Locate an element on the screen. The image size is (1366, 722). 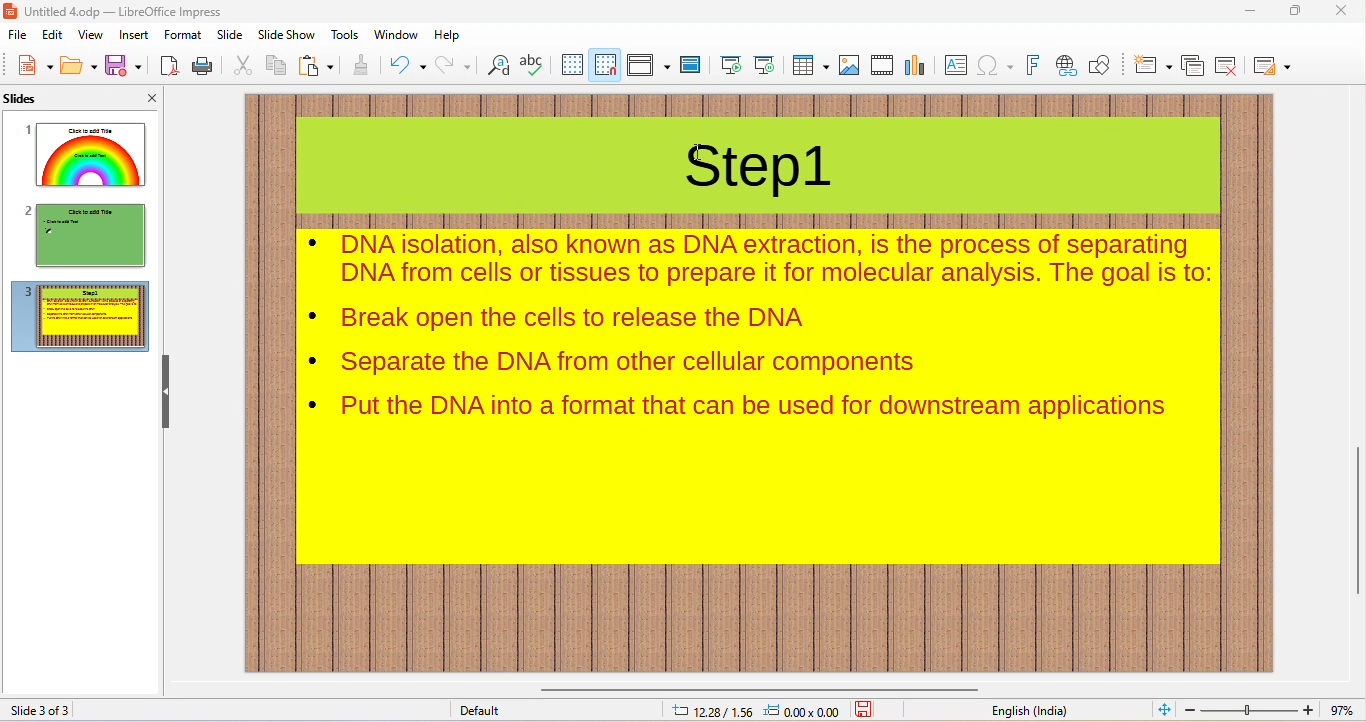
minimize is located at coordinates (1254, 14).